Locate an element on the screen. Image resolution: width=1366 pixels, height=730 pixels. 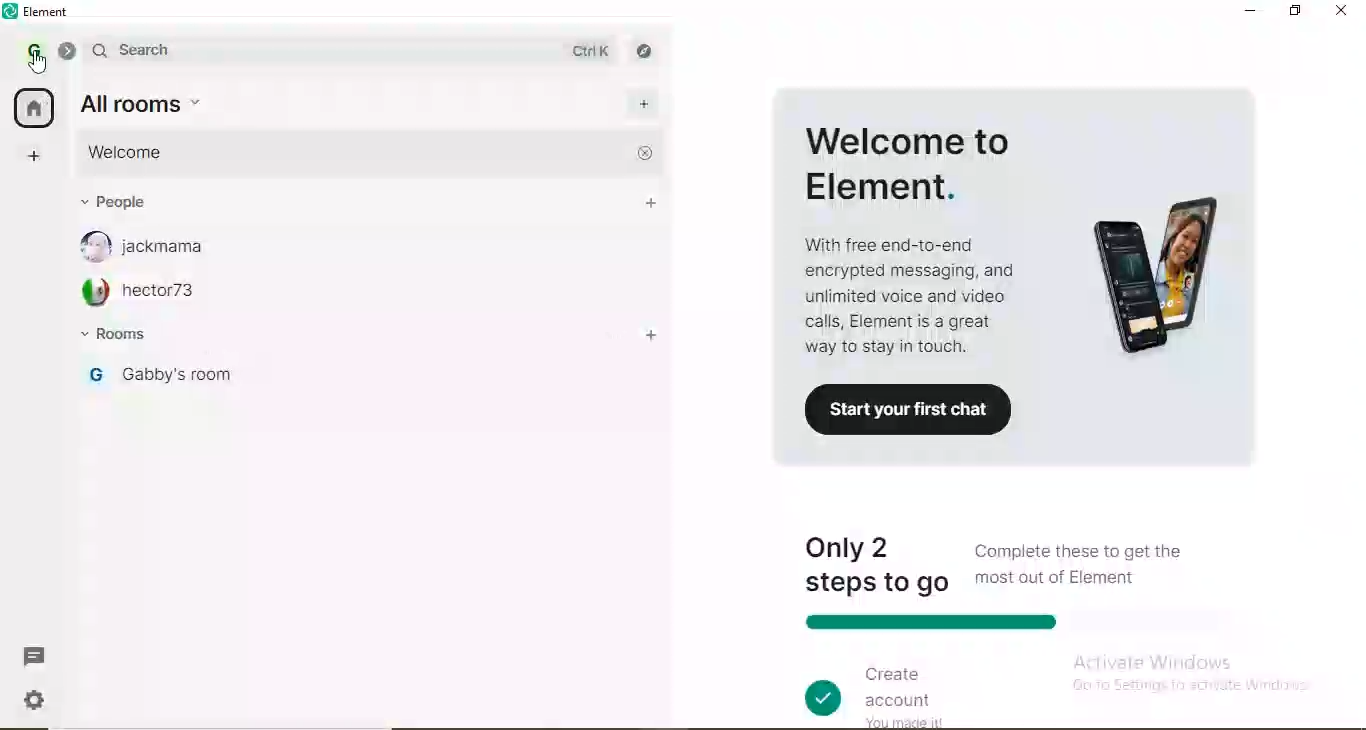
profile image is located at coordinates (94, 246).